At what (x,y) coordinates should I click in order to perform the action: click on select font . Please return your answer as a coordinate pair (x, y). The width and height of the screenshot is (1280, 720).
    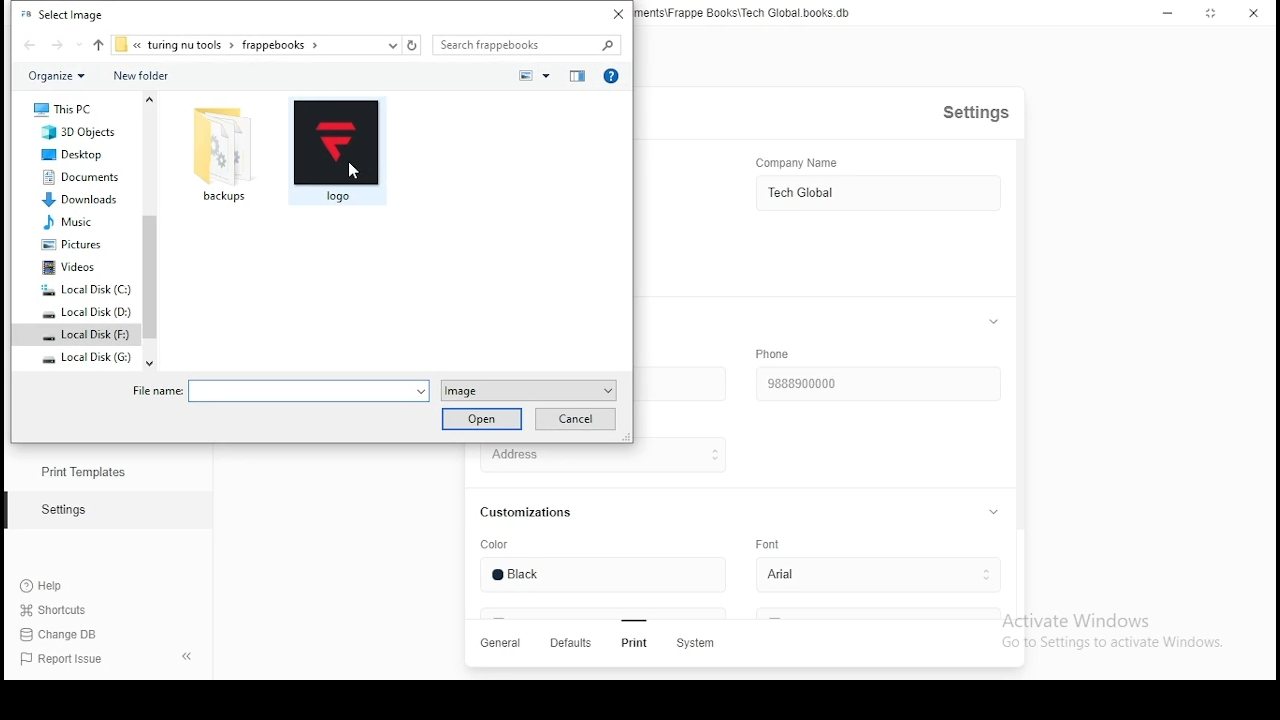
    Looking at the image, I should click on (872, 576).